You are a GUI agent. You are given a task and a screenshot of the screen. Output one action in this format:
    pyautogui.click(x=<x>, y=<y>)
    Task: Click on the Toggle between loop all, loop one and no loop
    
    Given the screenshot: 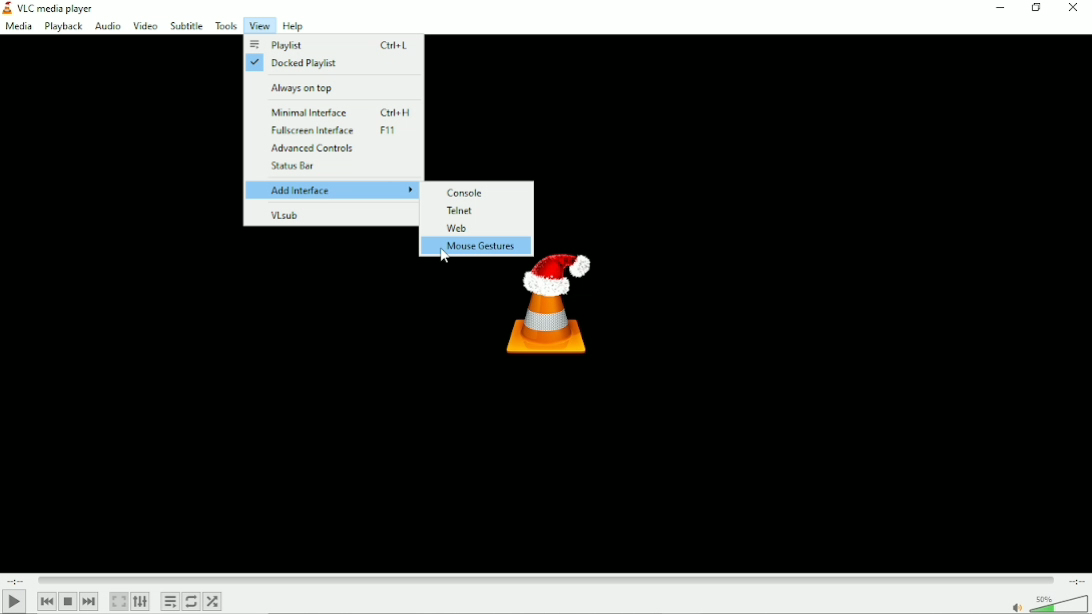 What is the action you would take?
    pyautogui.click(x=190, y=602)
    